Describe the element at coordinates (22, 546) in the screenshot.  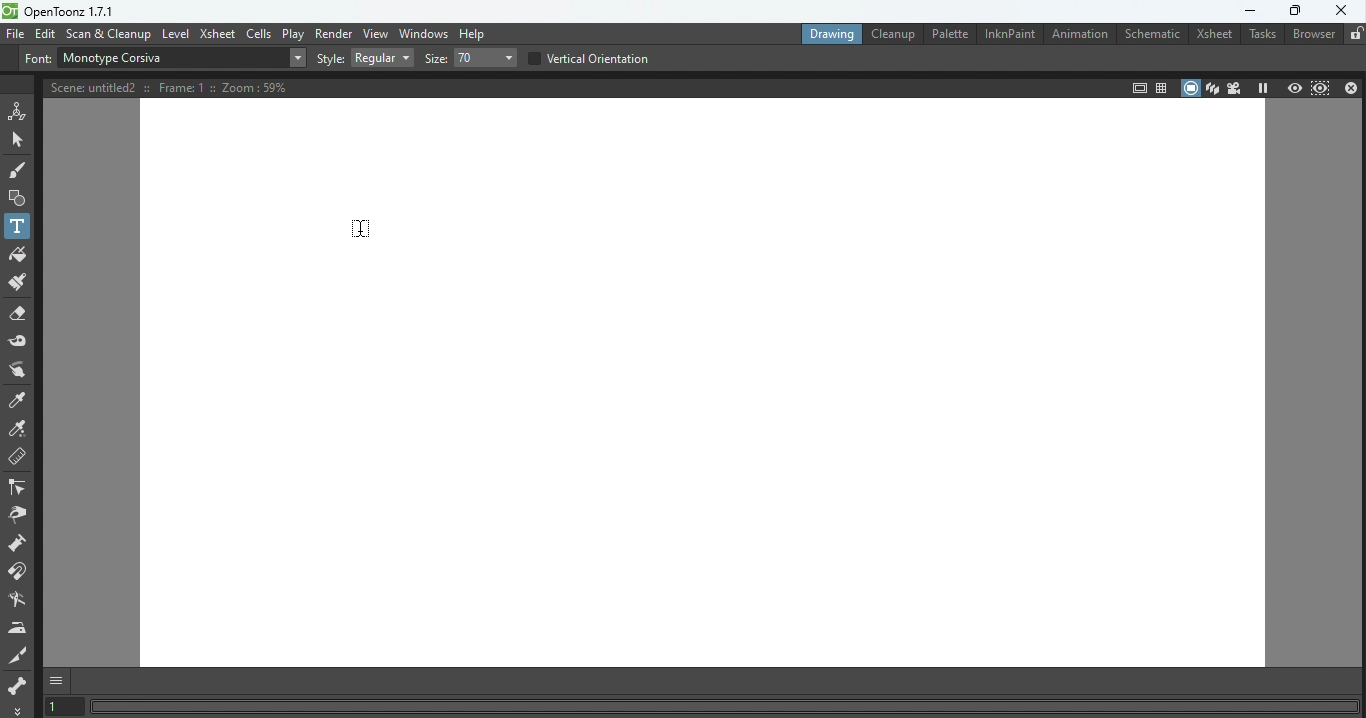
I see `Pump tool` at that location.